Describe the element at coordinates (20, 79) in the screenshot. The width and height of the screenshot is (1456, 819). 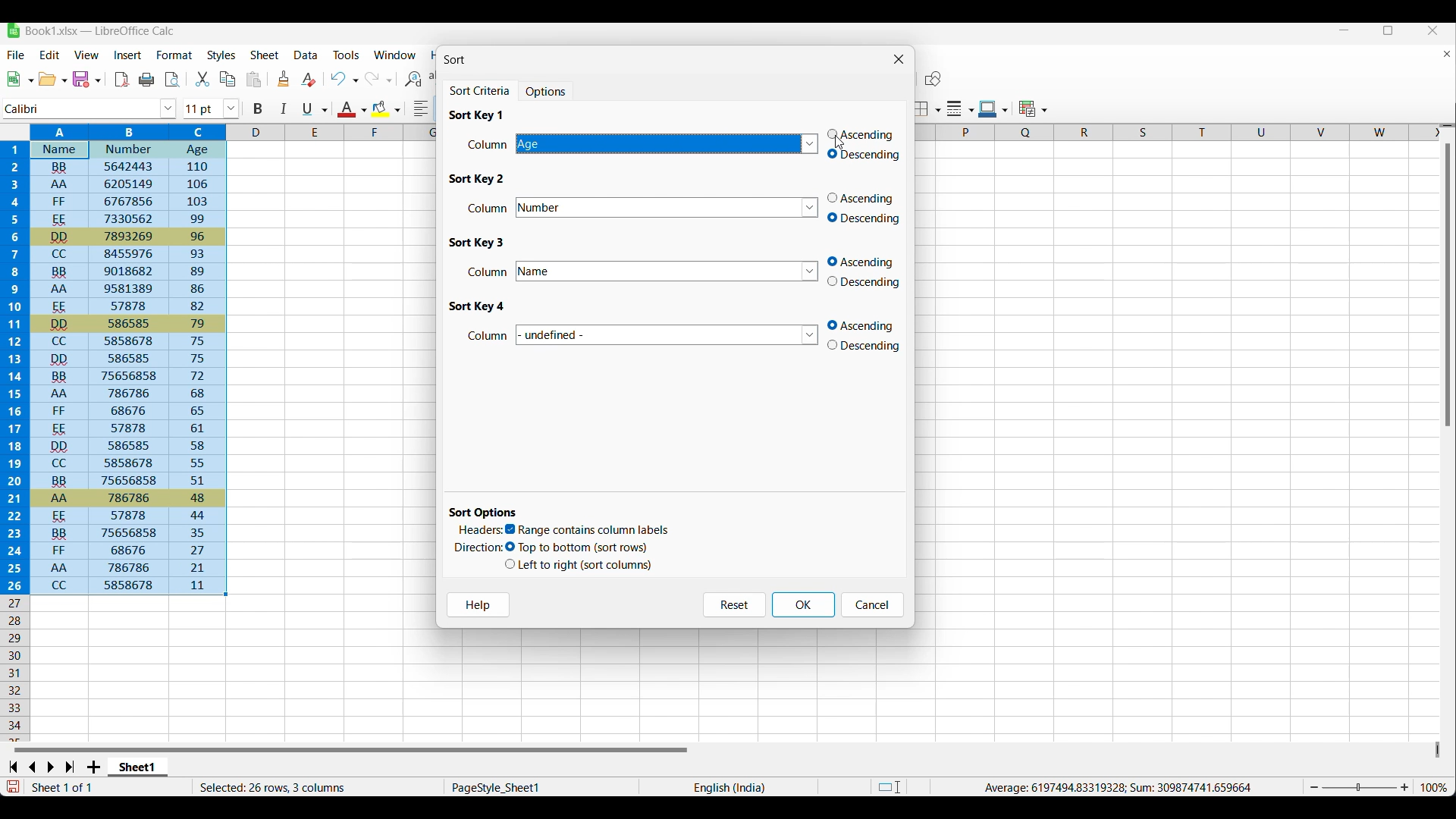
I see `New document options` at that location.